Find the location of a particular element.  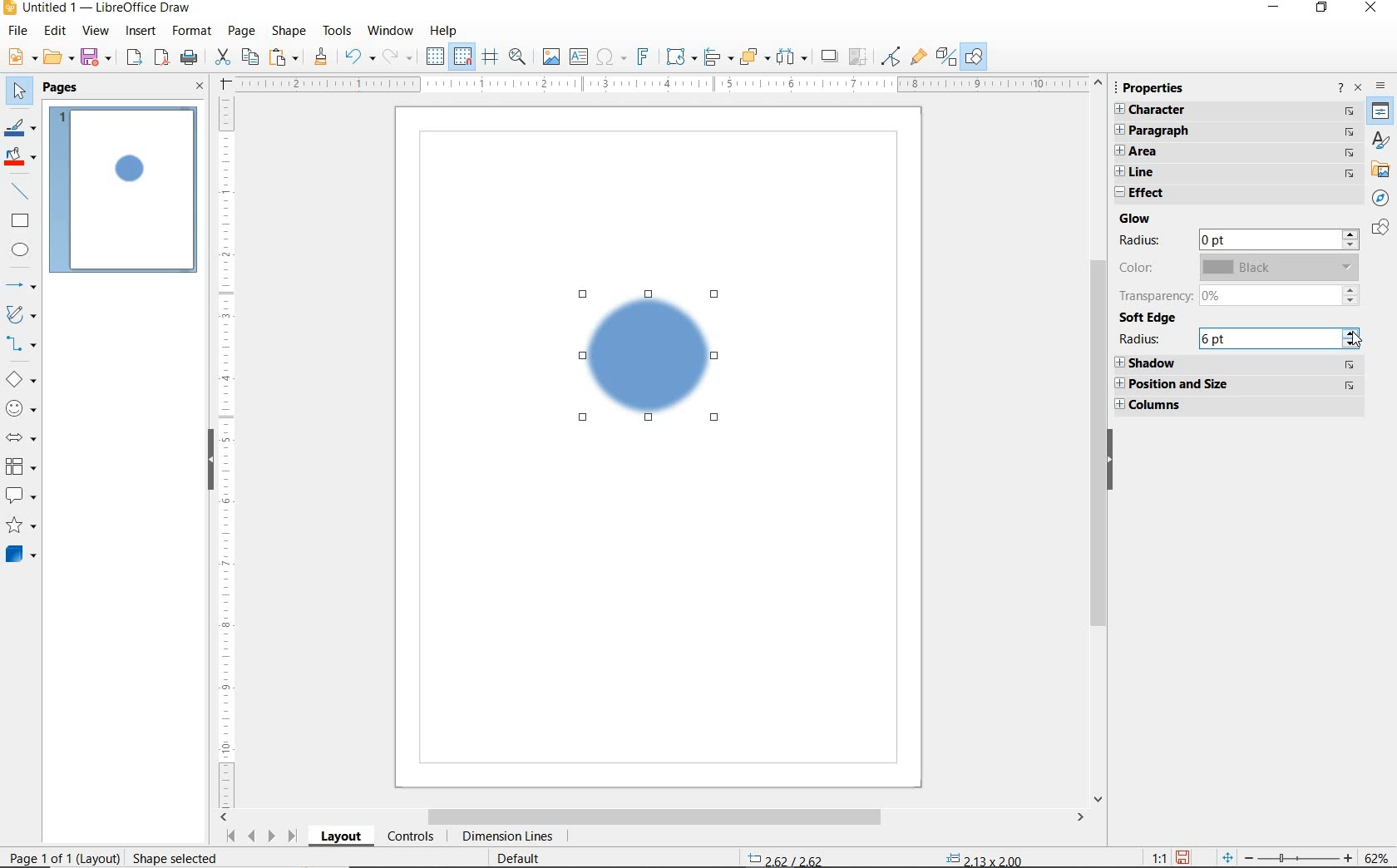

Adjust margins is located at coordinates (224, 81).